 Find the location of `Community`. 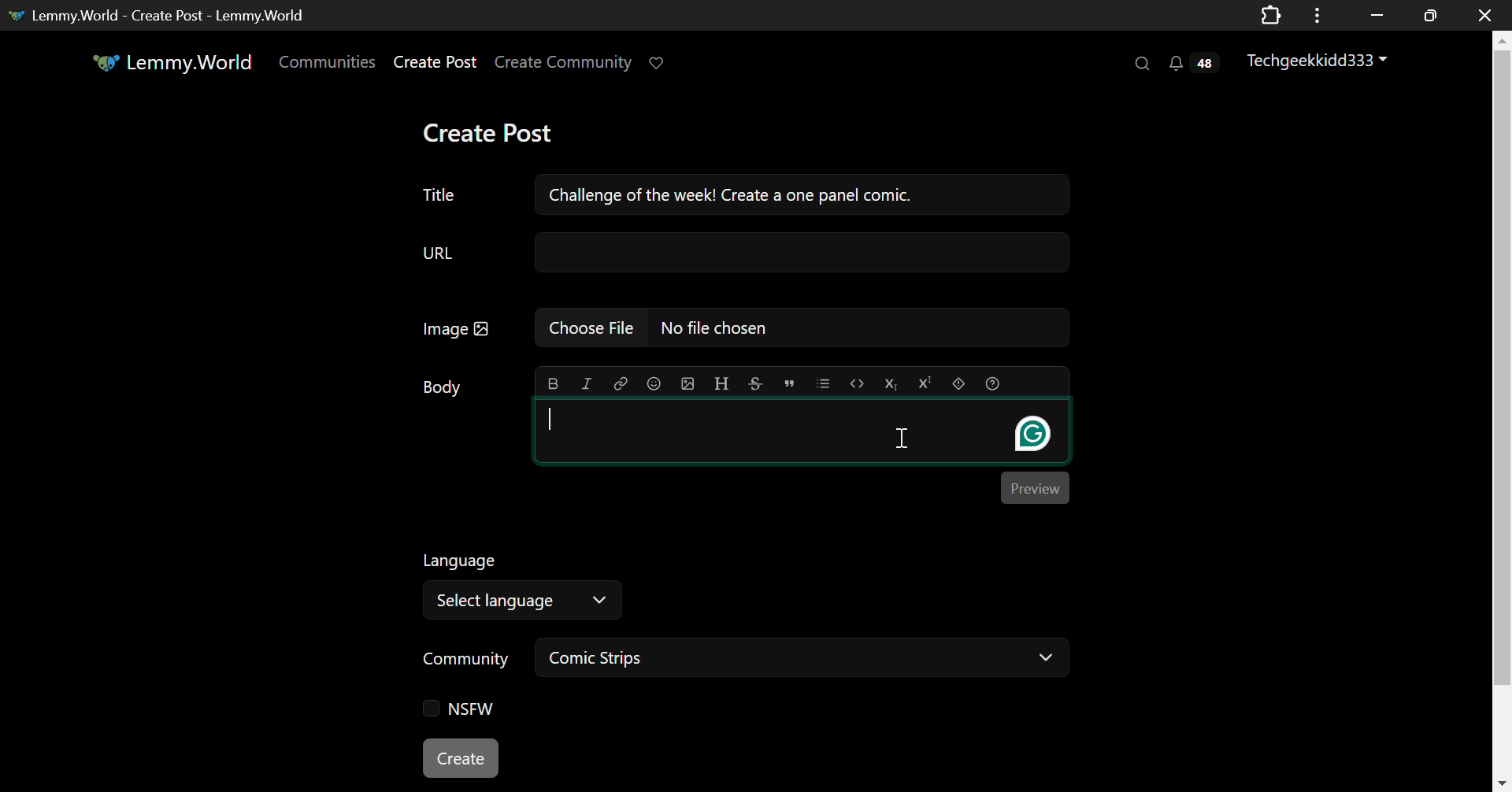

Community is located at coordinates (462, 660).